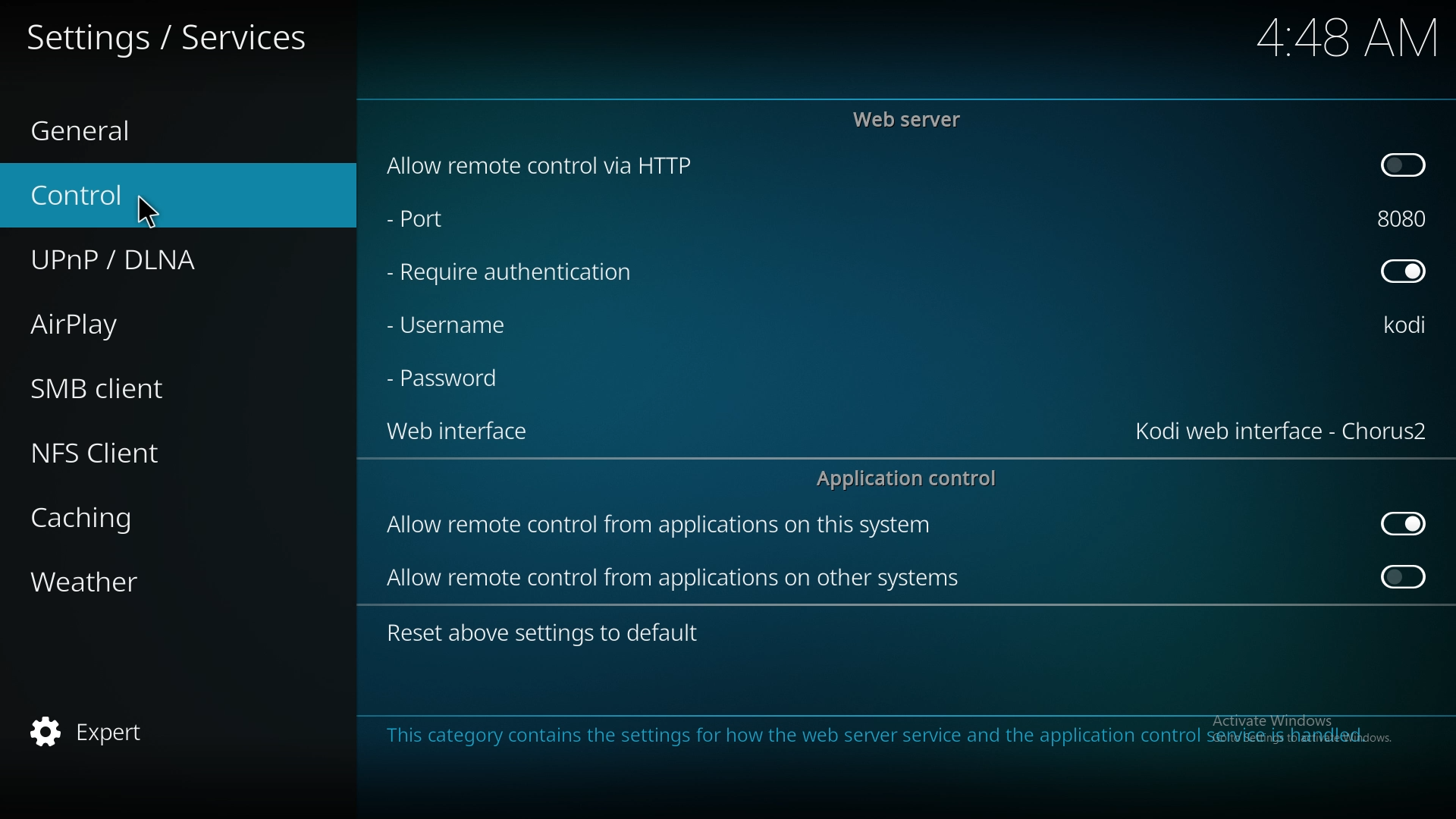  What do you see at coordinates (877, 735) in the screenshot?
I see `info` at bounding box center [877, 735].